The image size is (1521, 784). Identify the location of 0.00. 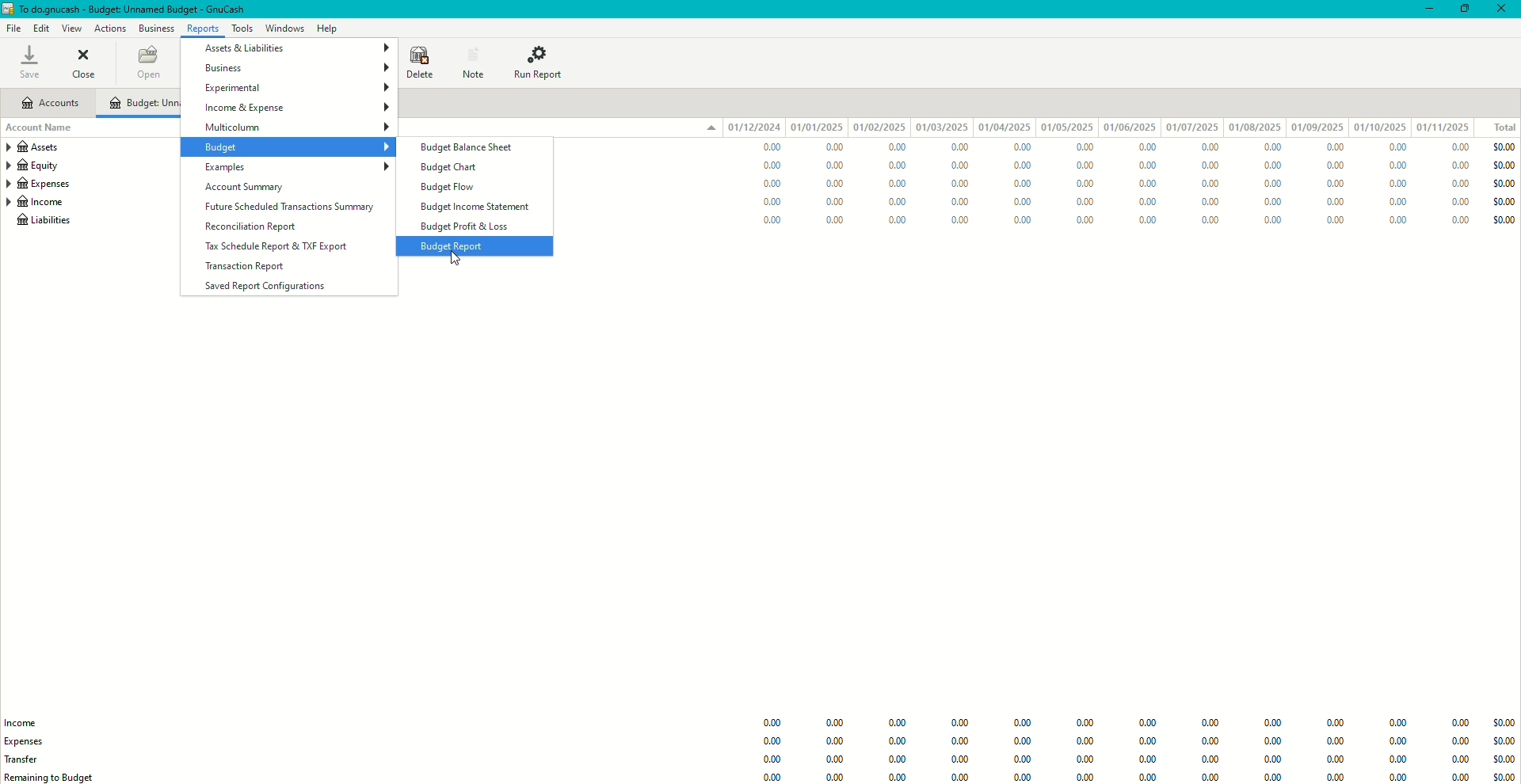
(1146, 148).